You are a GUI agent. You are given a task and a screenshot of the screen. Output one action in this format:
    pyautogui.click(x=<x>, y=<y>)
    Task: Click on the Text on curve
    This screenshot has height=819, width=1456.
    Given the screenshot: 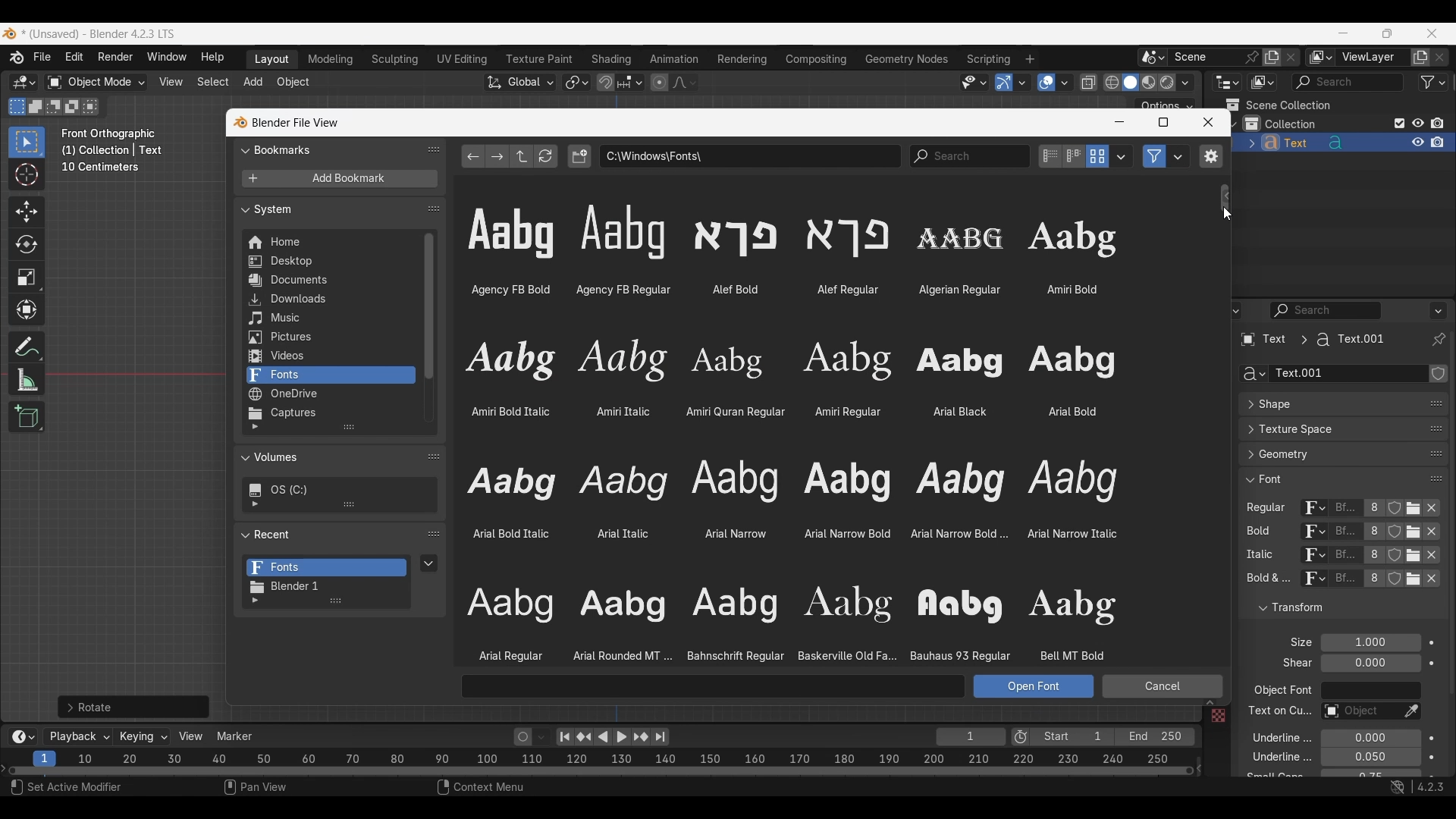 What is the action you would take?
    pyautogui.click(x=1359, y=712)
    